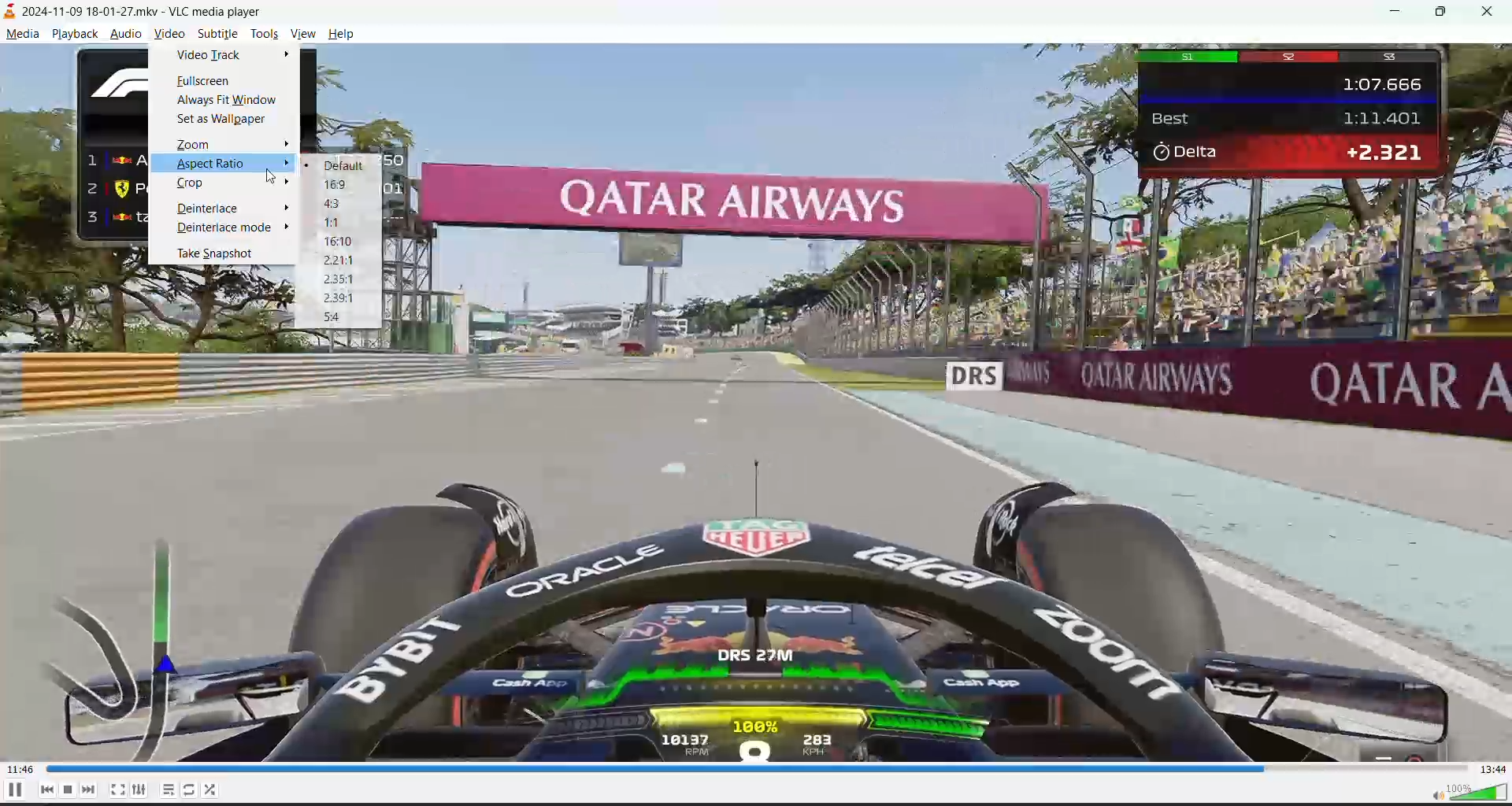 The height and width of the screenshot is (806, 1512). I want to click on aspect ratio, so click(213, 163).